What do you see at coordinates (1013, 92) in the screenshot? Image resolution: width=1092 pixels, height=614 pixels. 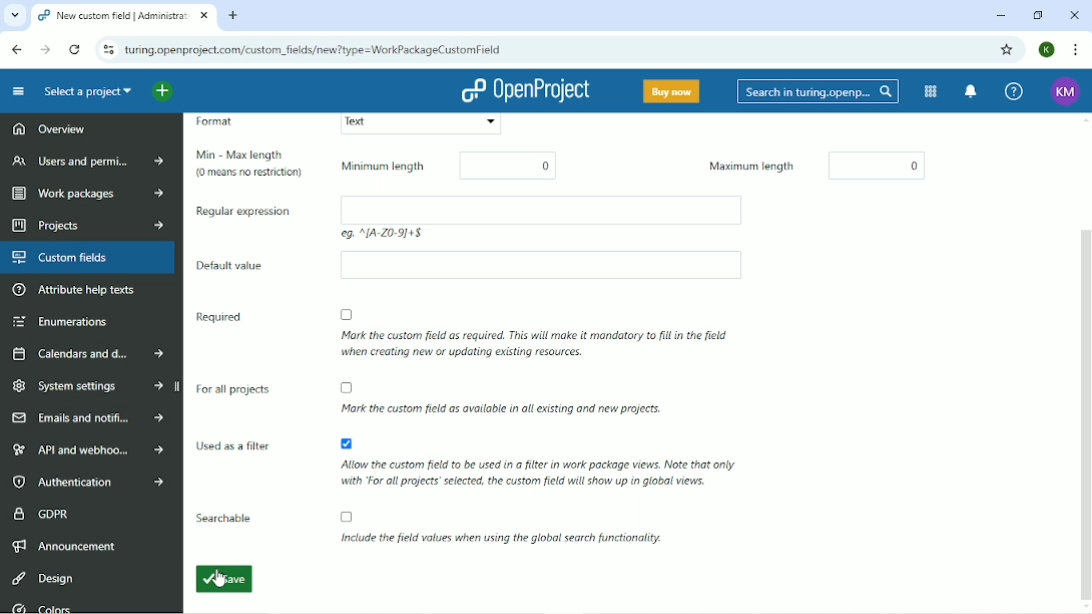 I see `Help` at bounding box center [1013, 92].